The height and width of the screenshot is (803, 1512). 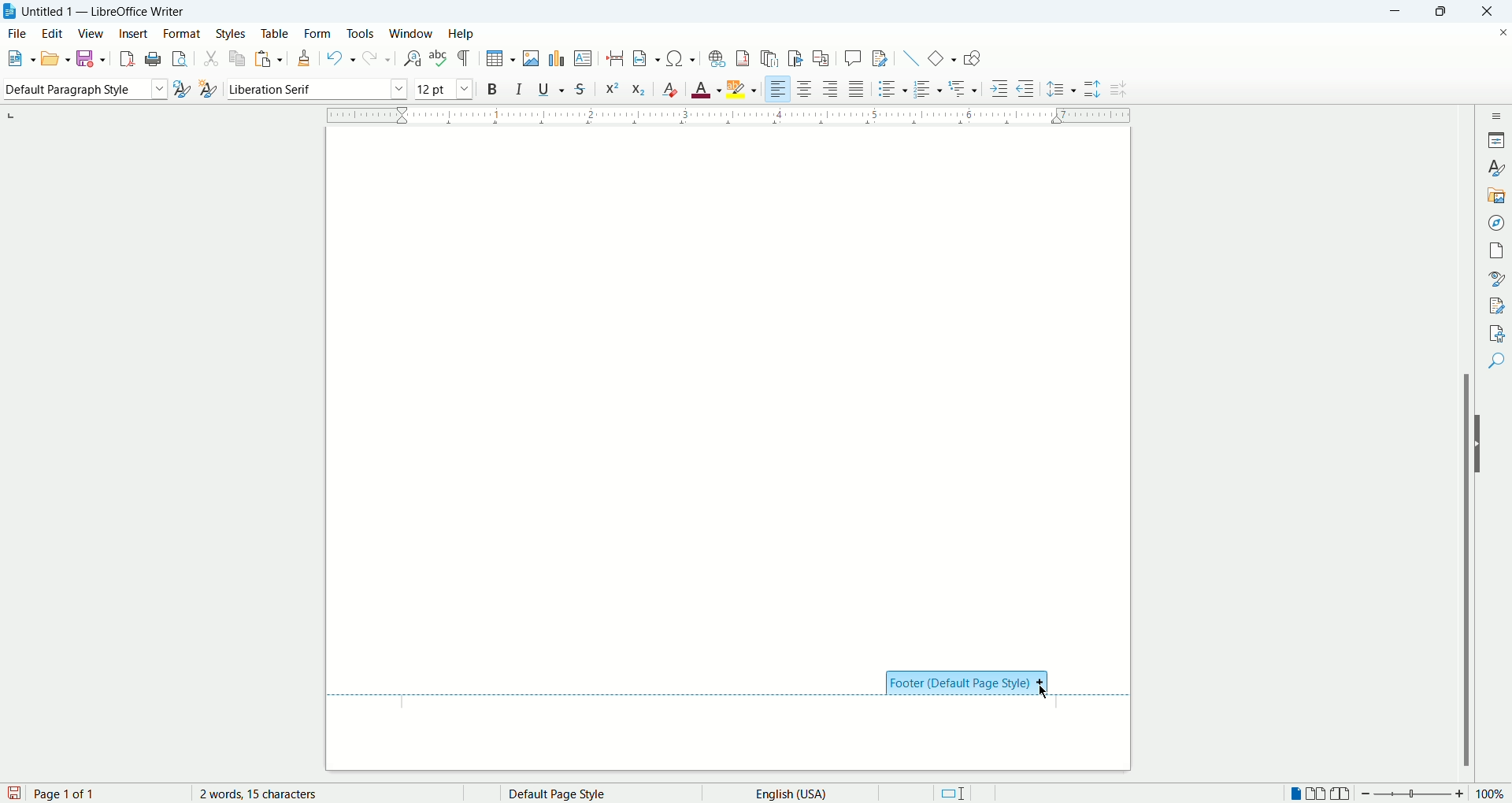 What do you see at coordinates (1319, 794) in the screenshot?
I see `double page view` at bounding box center [1319, 794].